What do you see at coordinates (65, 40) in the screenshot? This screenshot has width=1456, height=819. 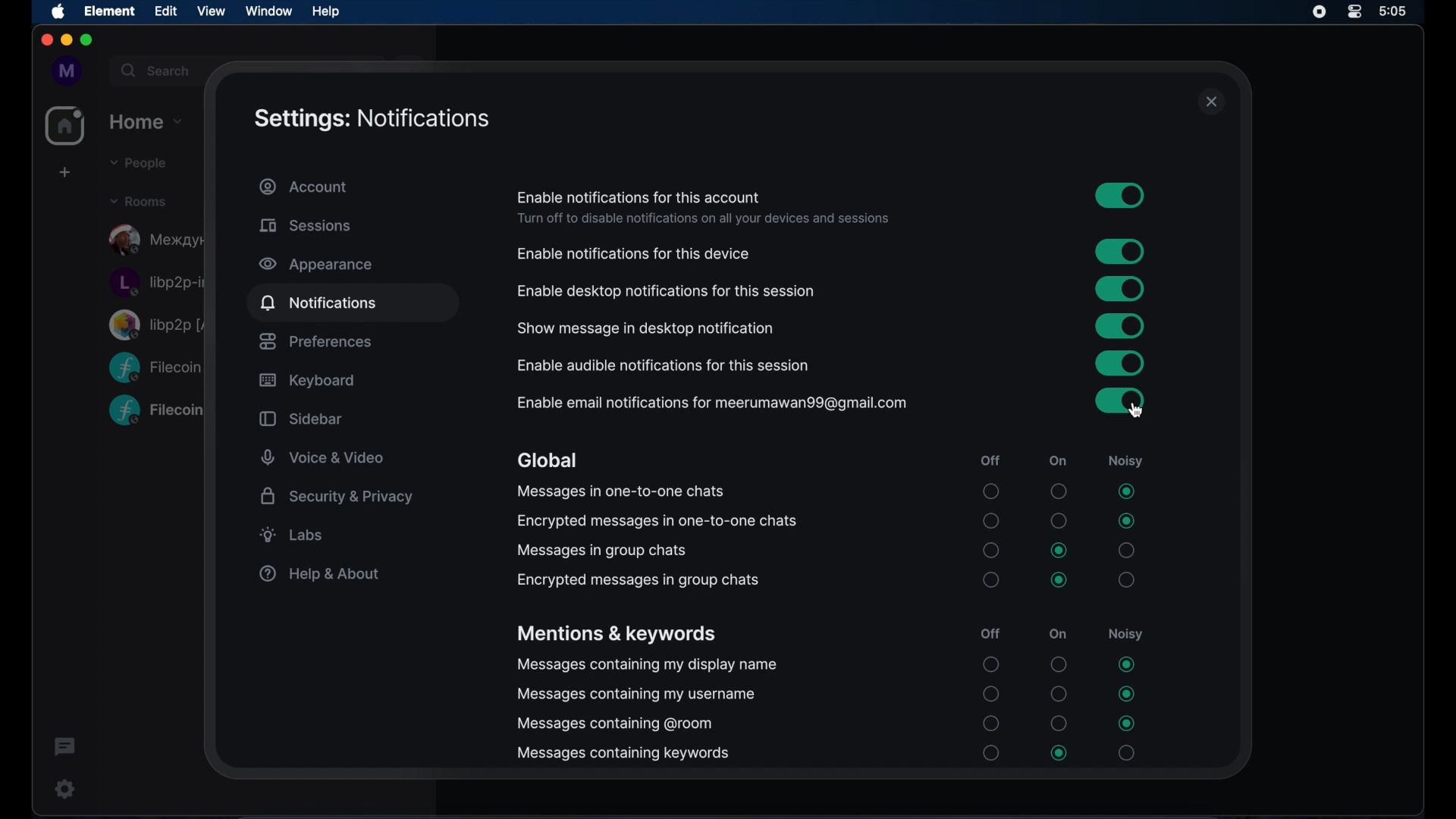 I see `minimize` at bounding box center [65, 40].